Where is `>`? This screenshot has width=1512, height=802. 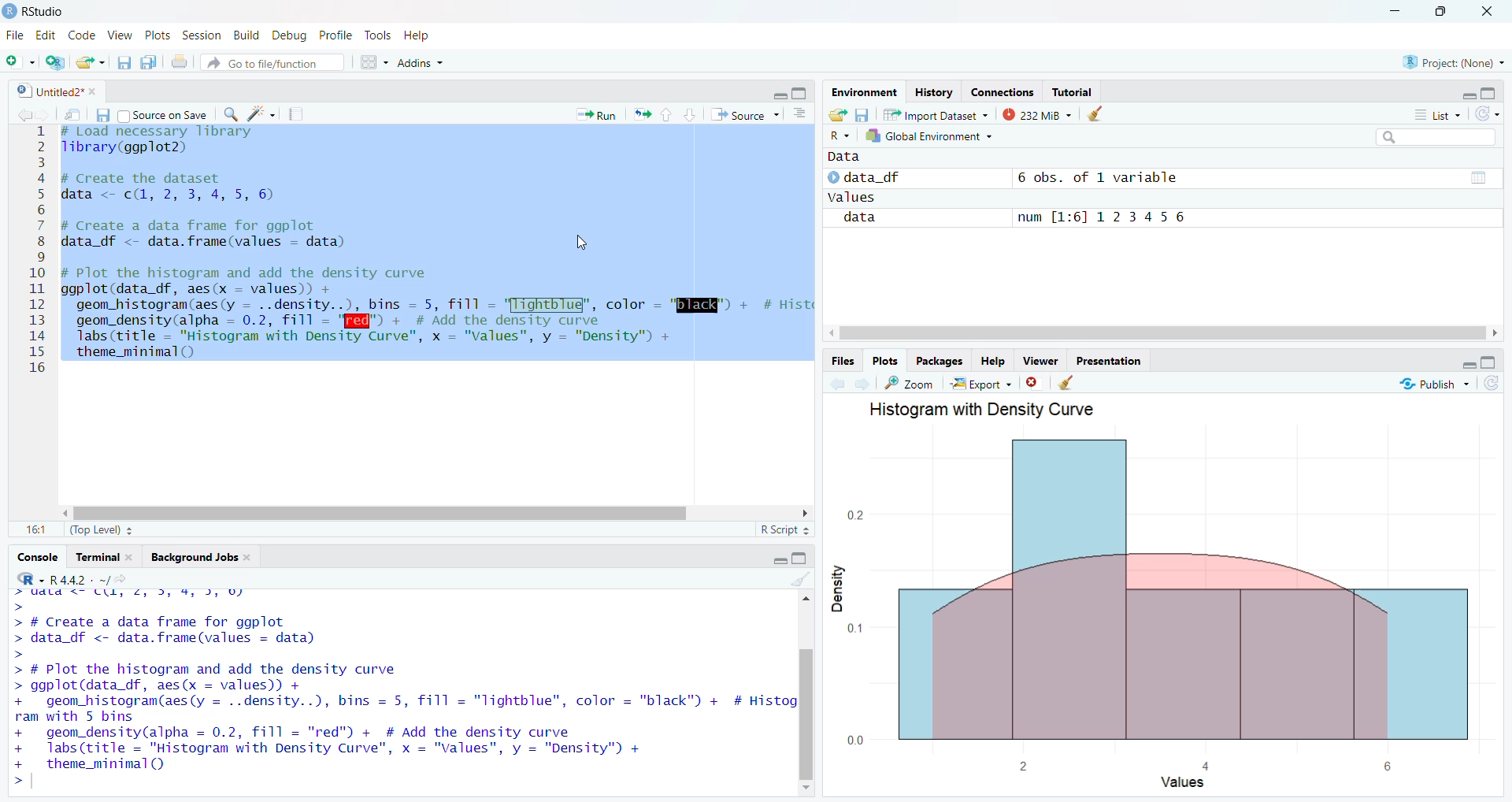 > is located at coordinates (22, 779).